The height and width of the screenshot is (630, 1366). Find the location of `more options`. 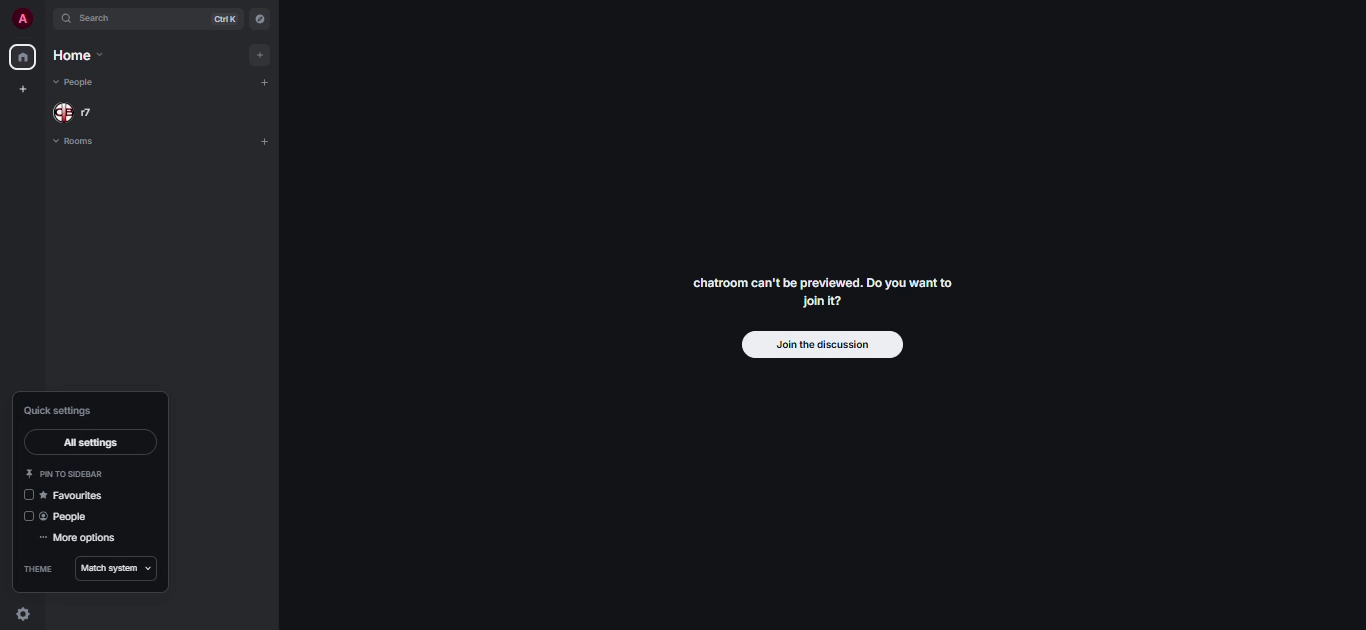

more options is located at coordinates (79, 541).